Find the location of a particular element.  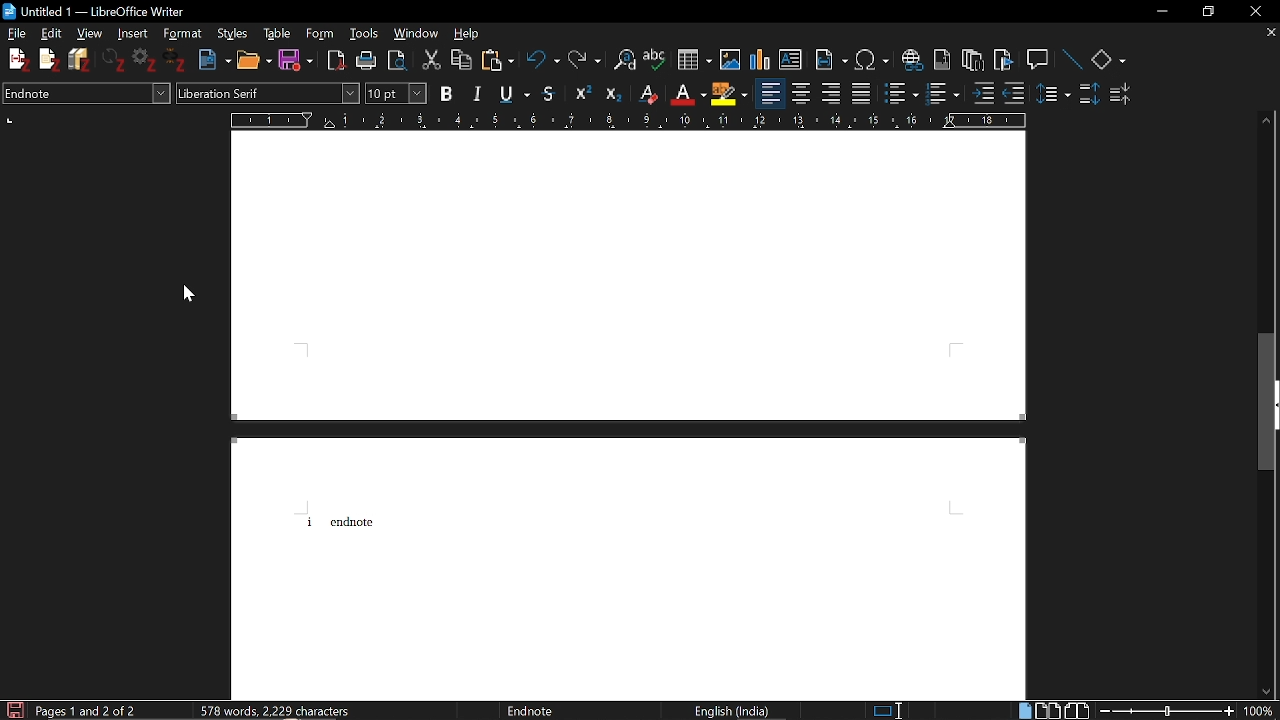

Toggle point preview is located at coordinates (398, 60).